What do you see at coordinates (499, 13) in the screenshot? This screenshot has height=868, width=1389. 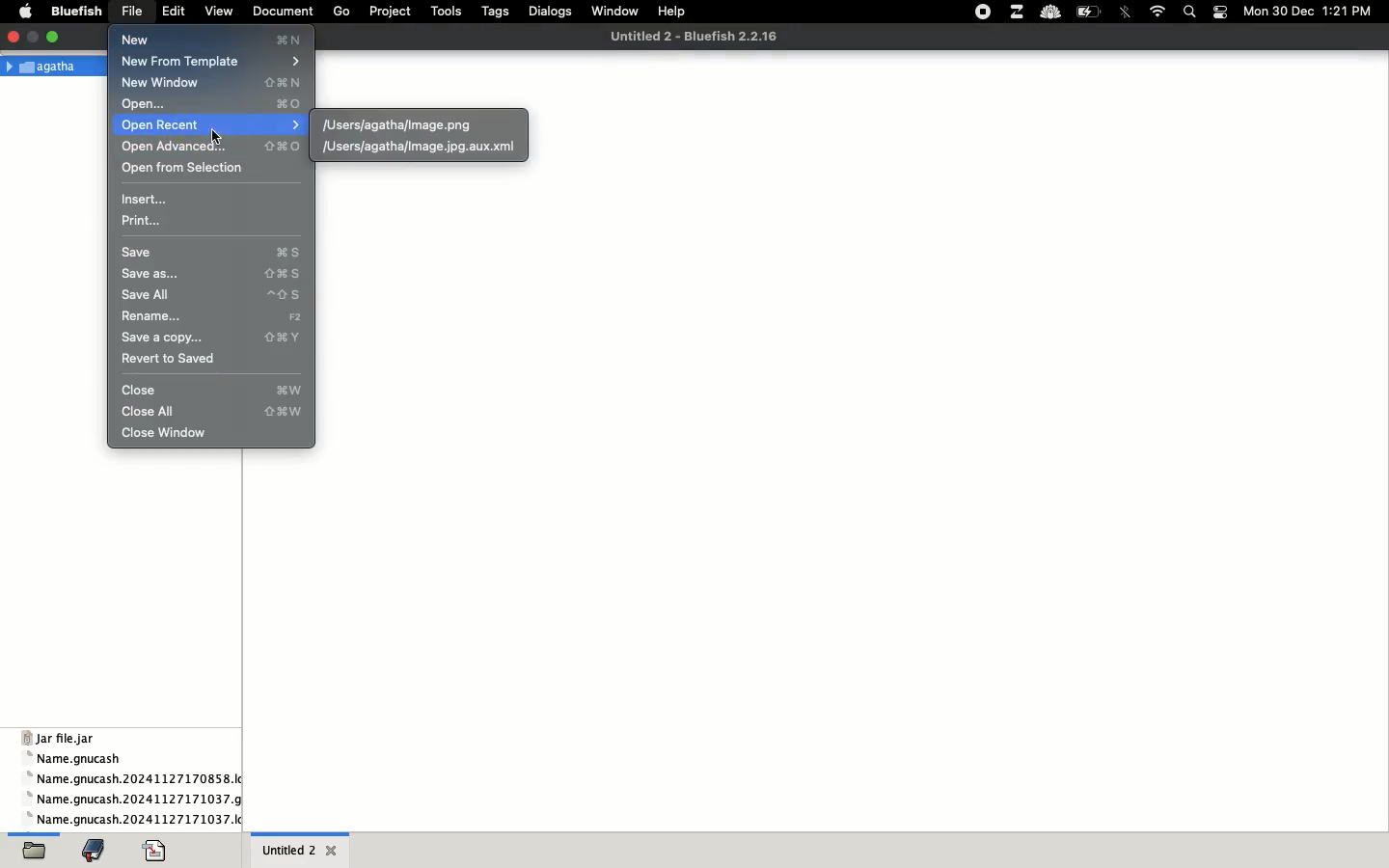 I see `tags` at bounding box center [499, 13].